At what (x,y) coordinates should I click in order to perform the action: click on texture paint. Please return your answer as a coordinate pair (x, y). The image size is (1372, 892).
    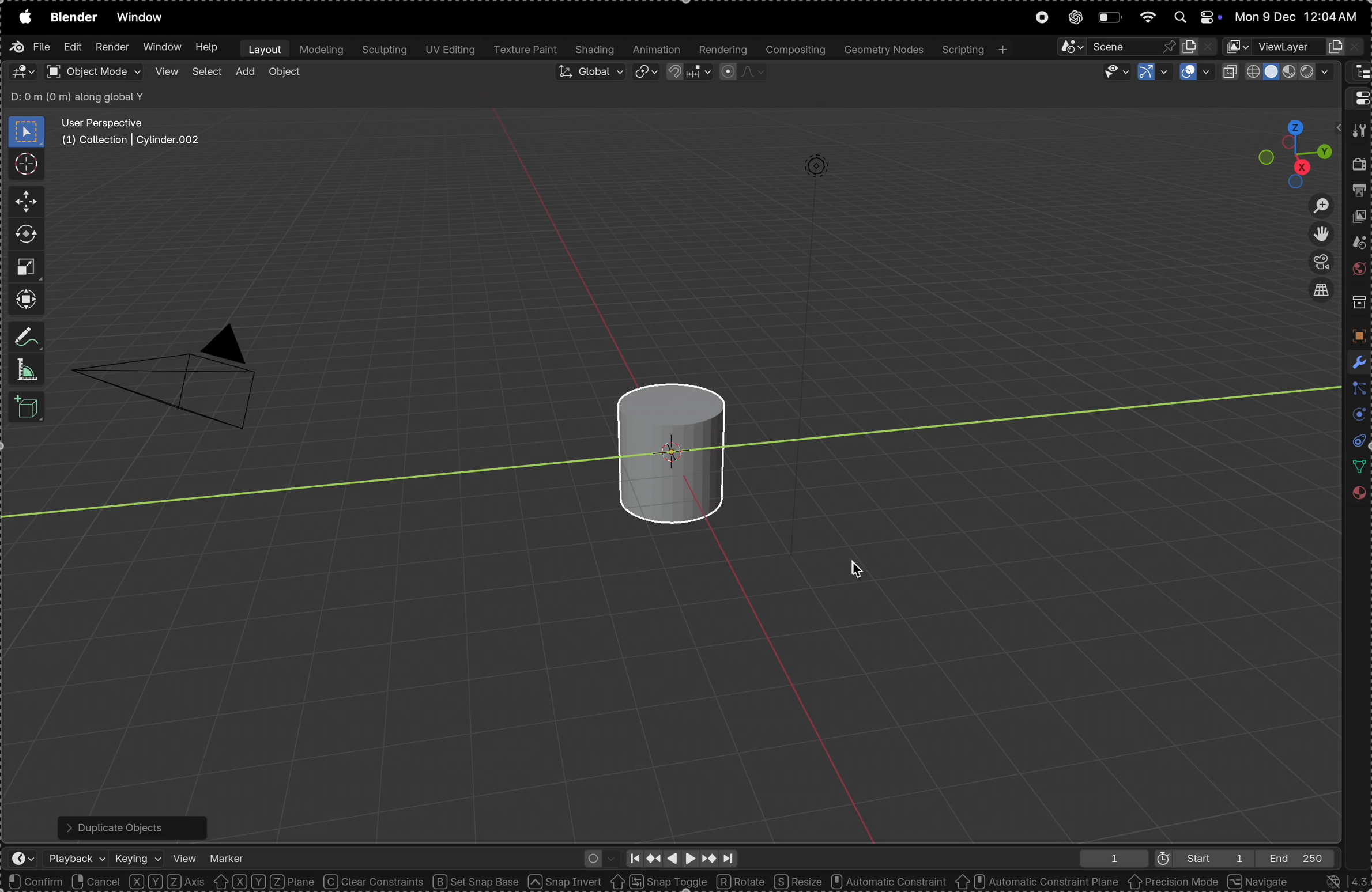
    Looking at the image, I should click on (525, 50).